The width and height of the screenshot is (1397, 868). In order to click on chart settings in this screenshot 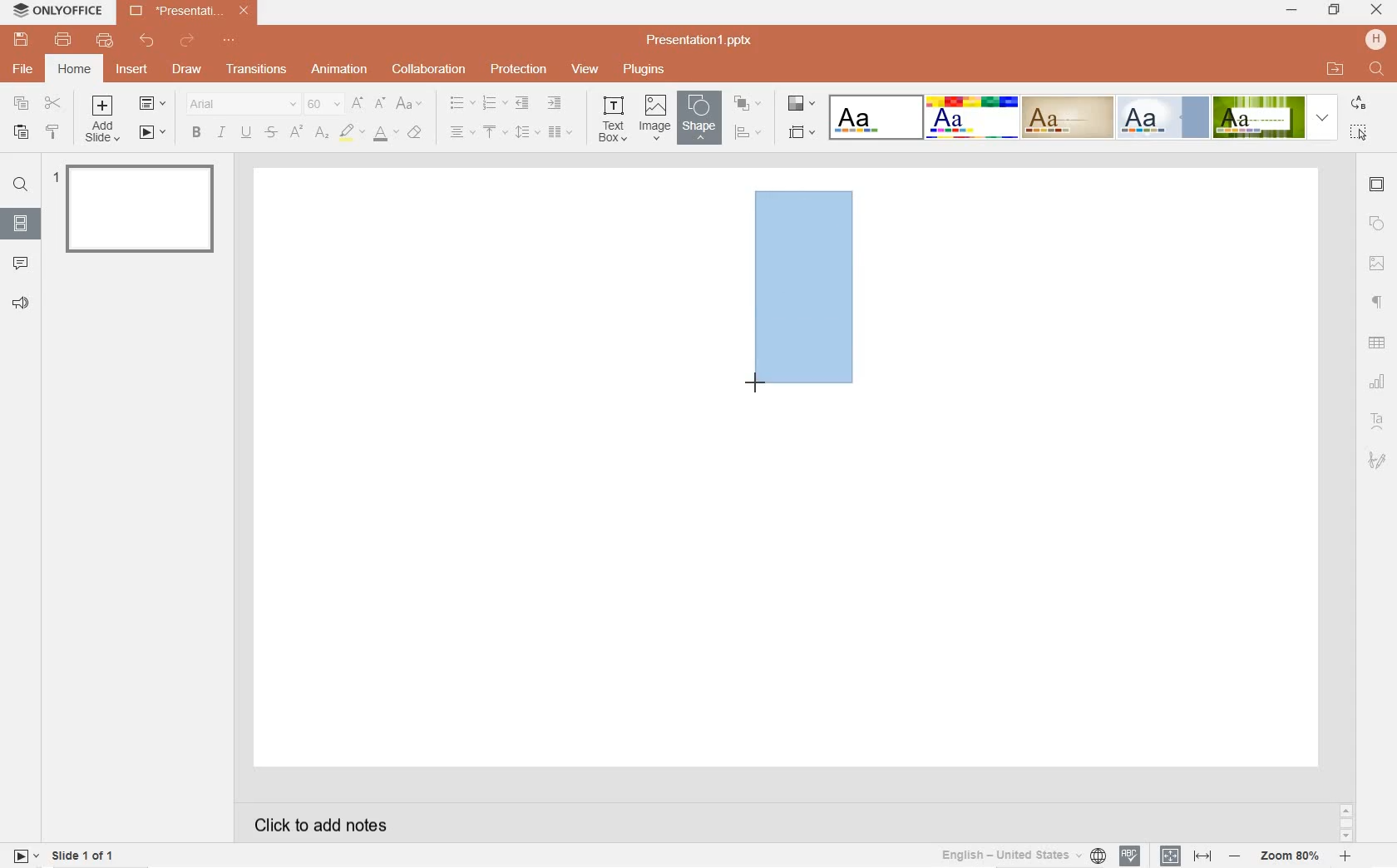, I will do `click(1379, 382)`.